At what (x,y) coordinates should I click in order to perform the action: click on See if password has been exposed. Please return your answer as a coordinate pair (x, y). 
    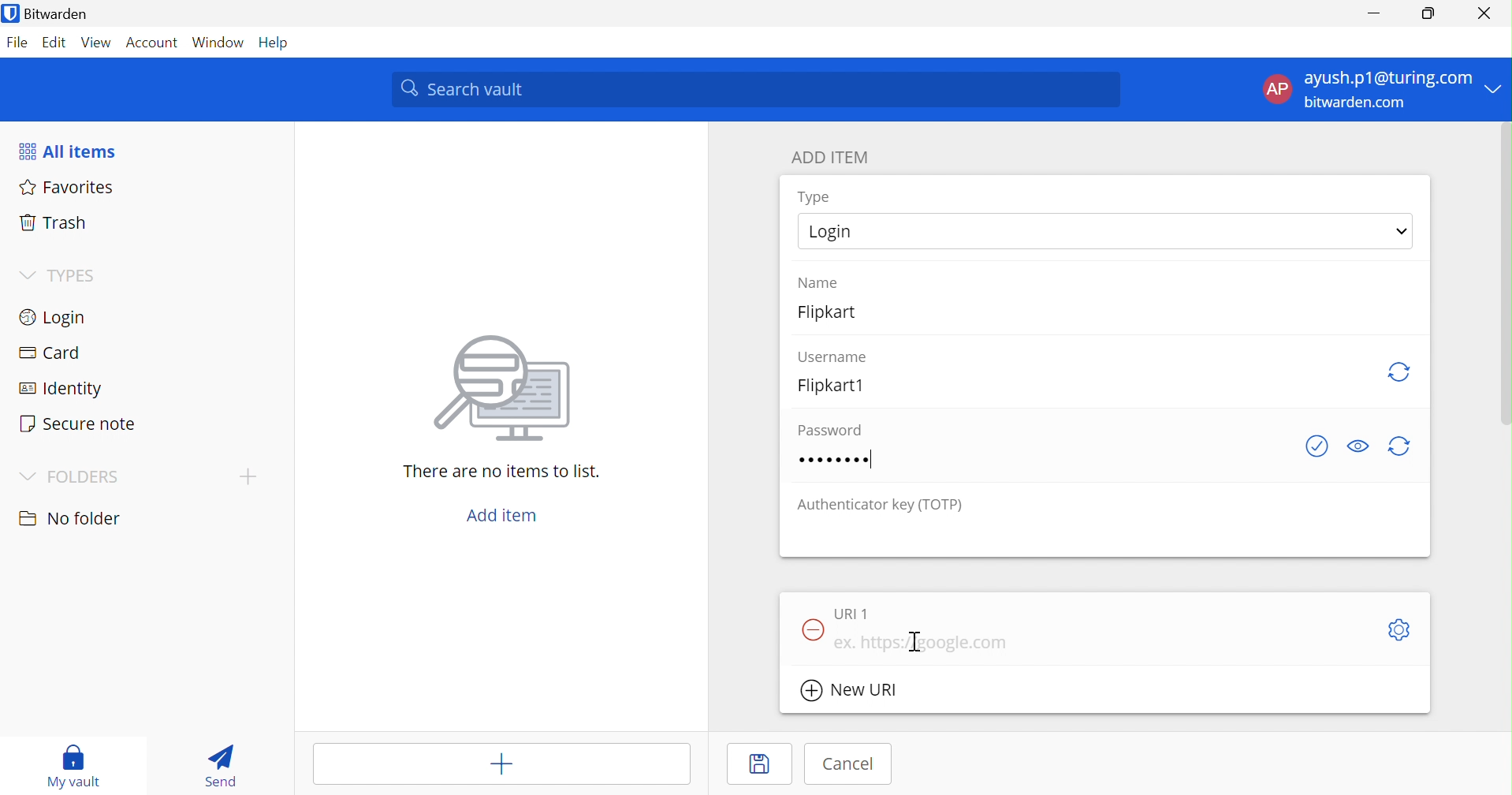
    Looking at the image, I should click on (1317, 447).